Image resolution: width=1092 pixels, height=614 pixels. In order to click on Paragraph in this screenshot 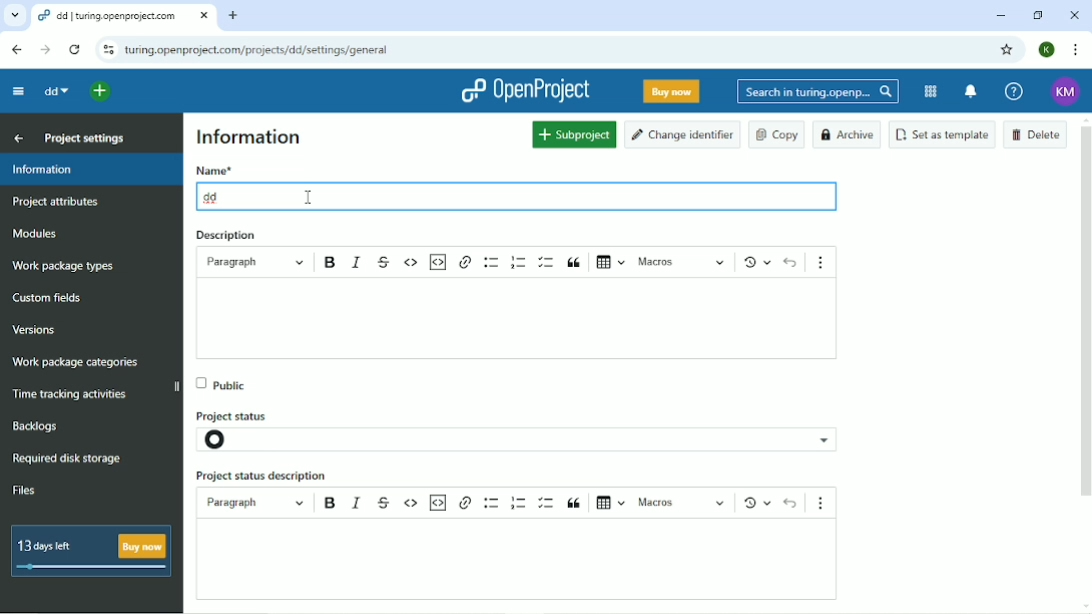, I will do `click(257, 262)`.